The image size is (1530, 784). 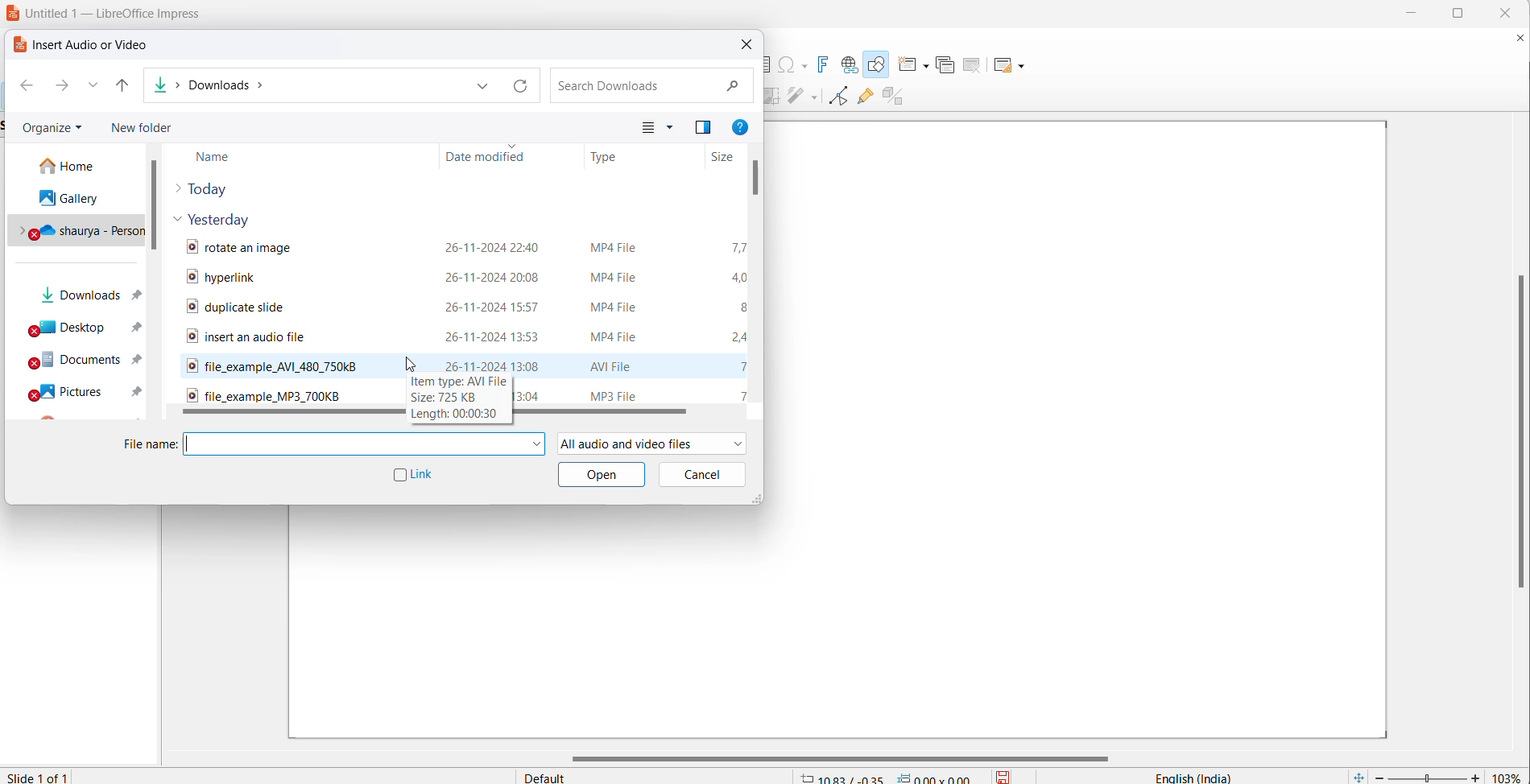 What do you see at coordinates (40, 775) in the screenshot?
I see `current slide number` at bounding box center [40, 775].